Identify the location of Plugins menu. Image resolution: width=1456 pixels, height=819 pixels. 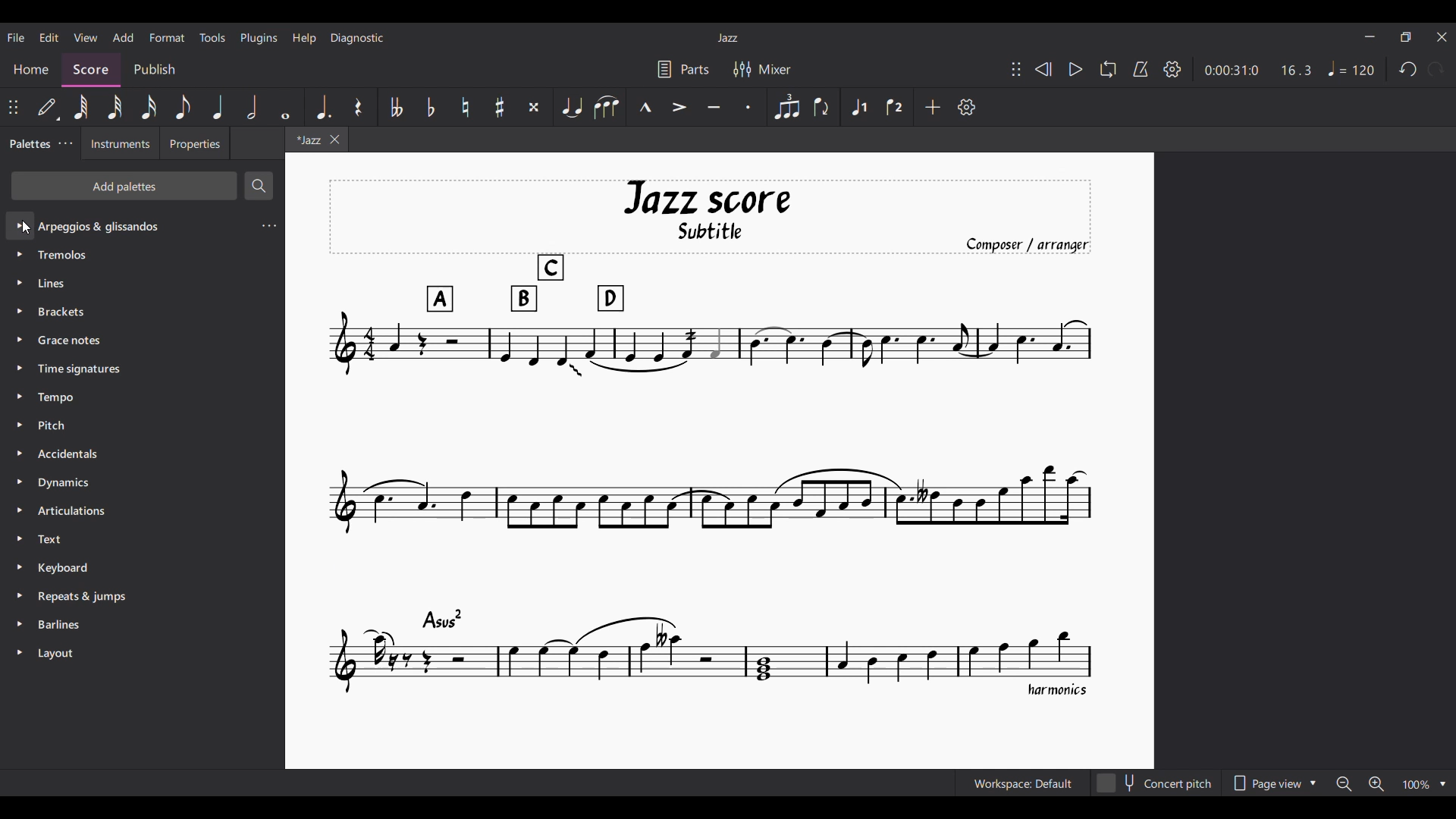
(259, 39).